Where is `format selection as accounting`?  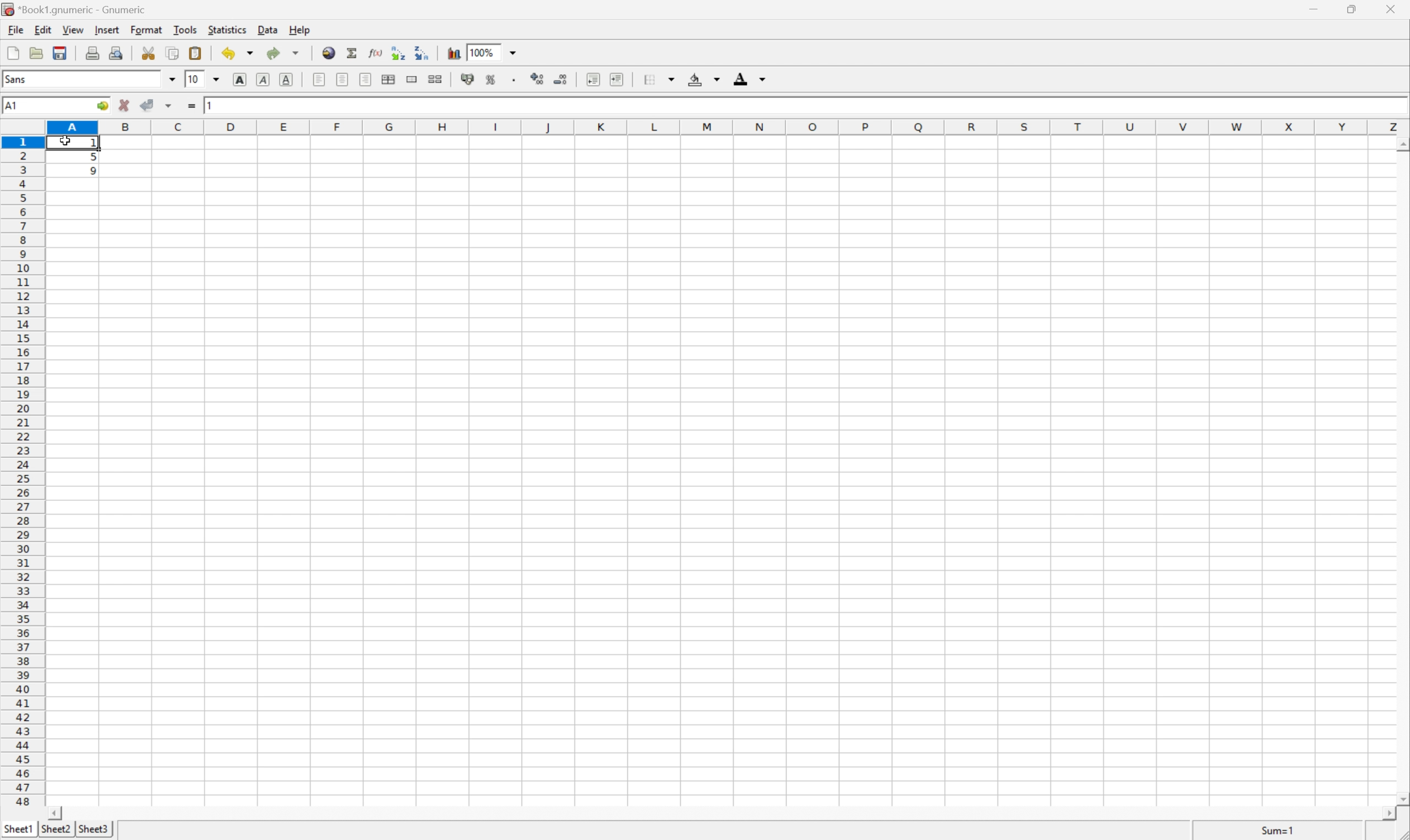
format selection as accounting is located at coordinates (468, 79).